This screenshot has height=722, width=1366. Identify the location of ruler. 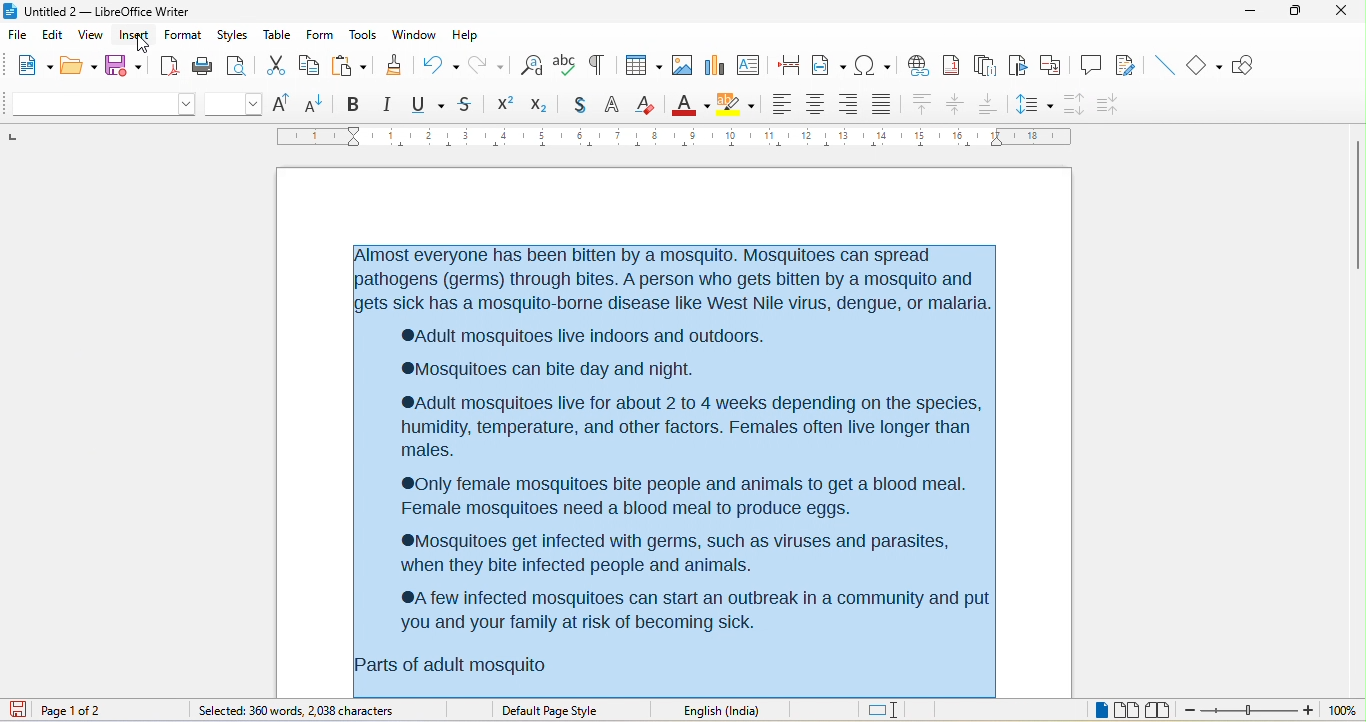
(682, 138).